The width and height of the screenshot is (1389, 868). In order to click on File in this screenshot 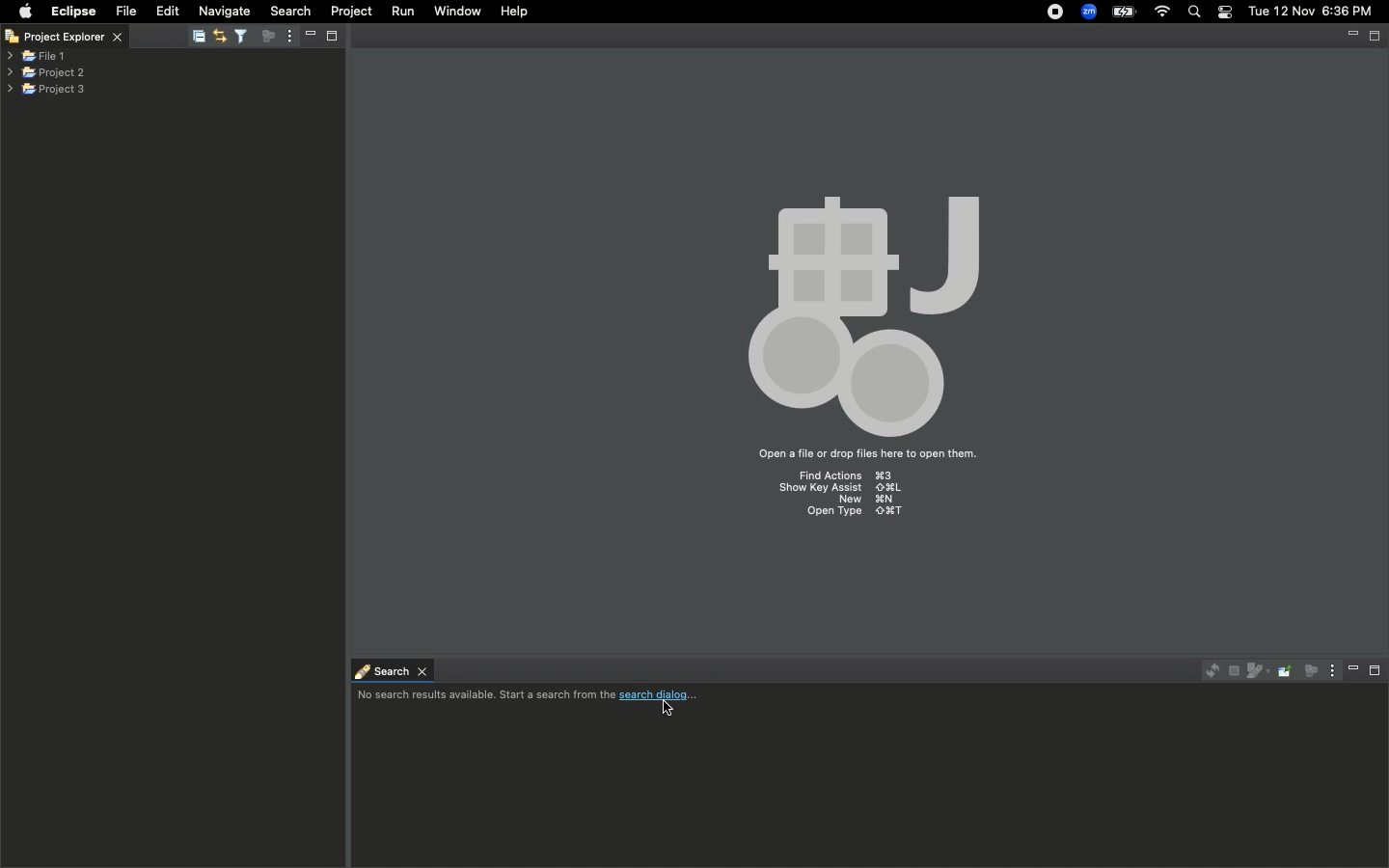, I will do `click(124, 12)`.